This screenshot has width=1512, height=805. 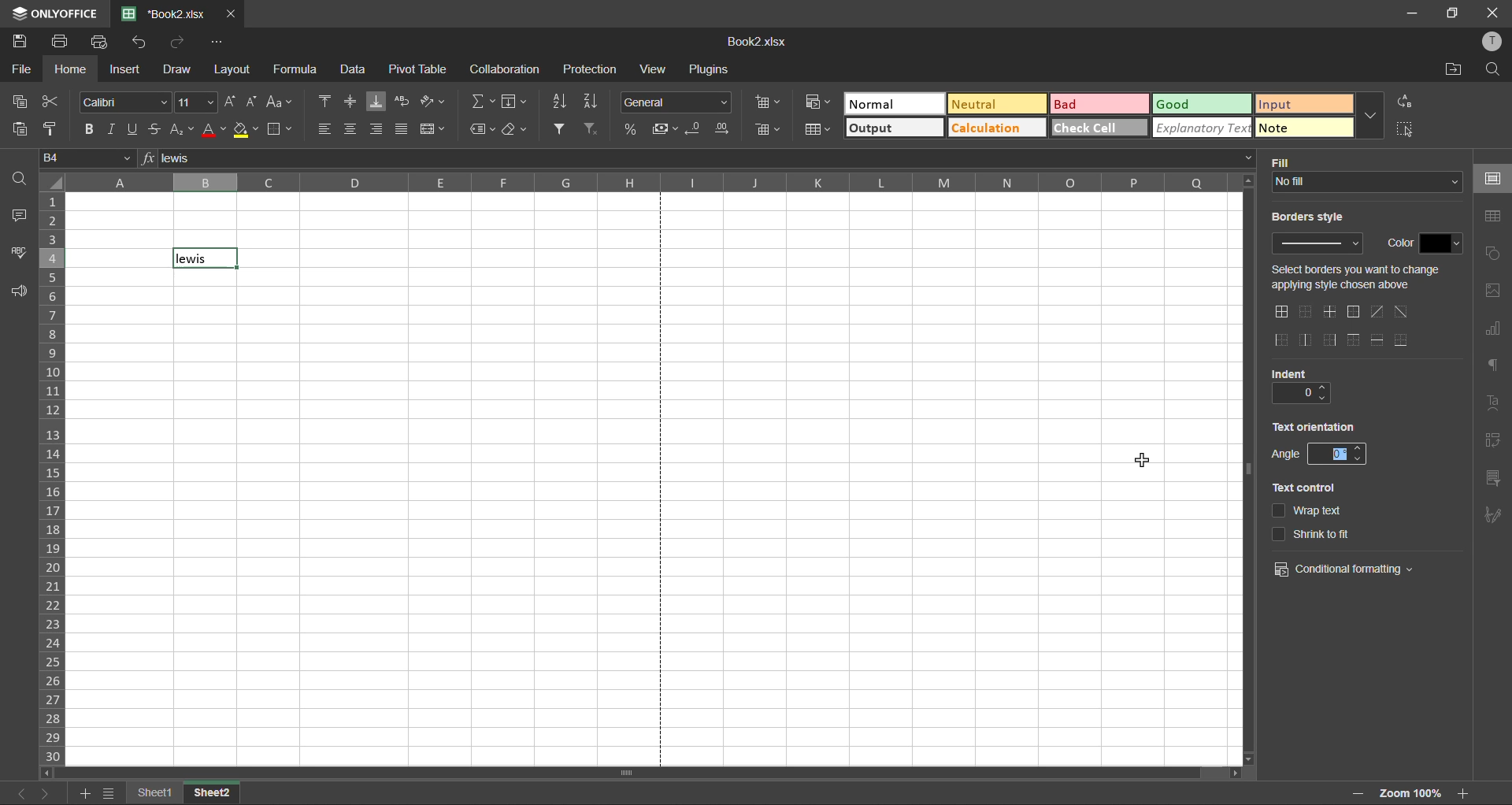 What do you see at coordinates (1492, 69) in the screenshot?
I see `find` at bounding box center [1492, 69].